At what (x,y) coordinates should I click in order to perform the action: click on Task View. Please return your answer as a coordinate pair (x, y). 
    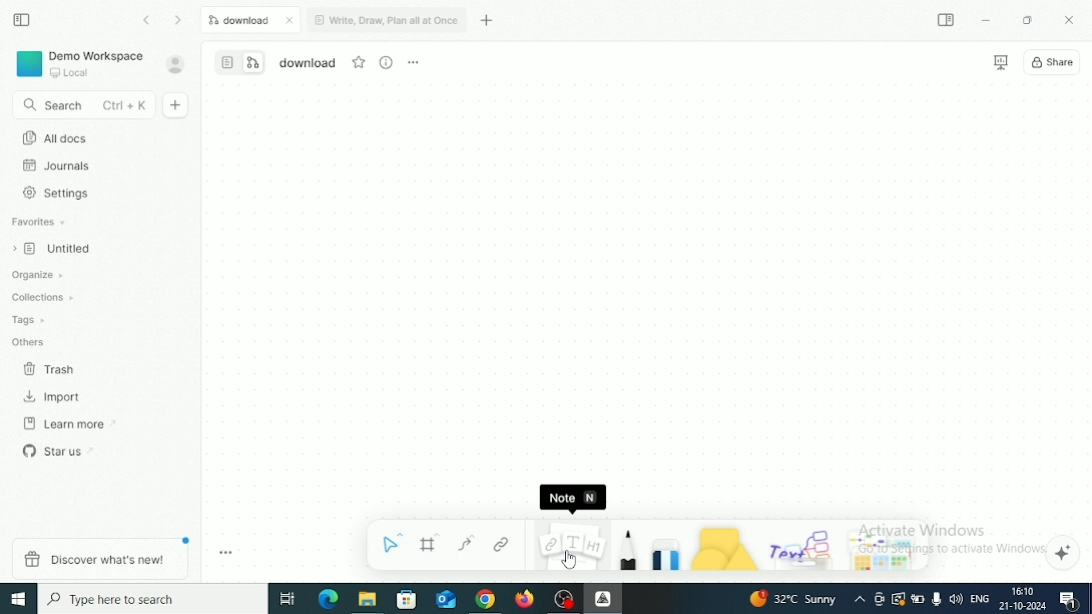
    Looking at the image, I should click on (287, 599).